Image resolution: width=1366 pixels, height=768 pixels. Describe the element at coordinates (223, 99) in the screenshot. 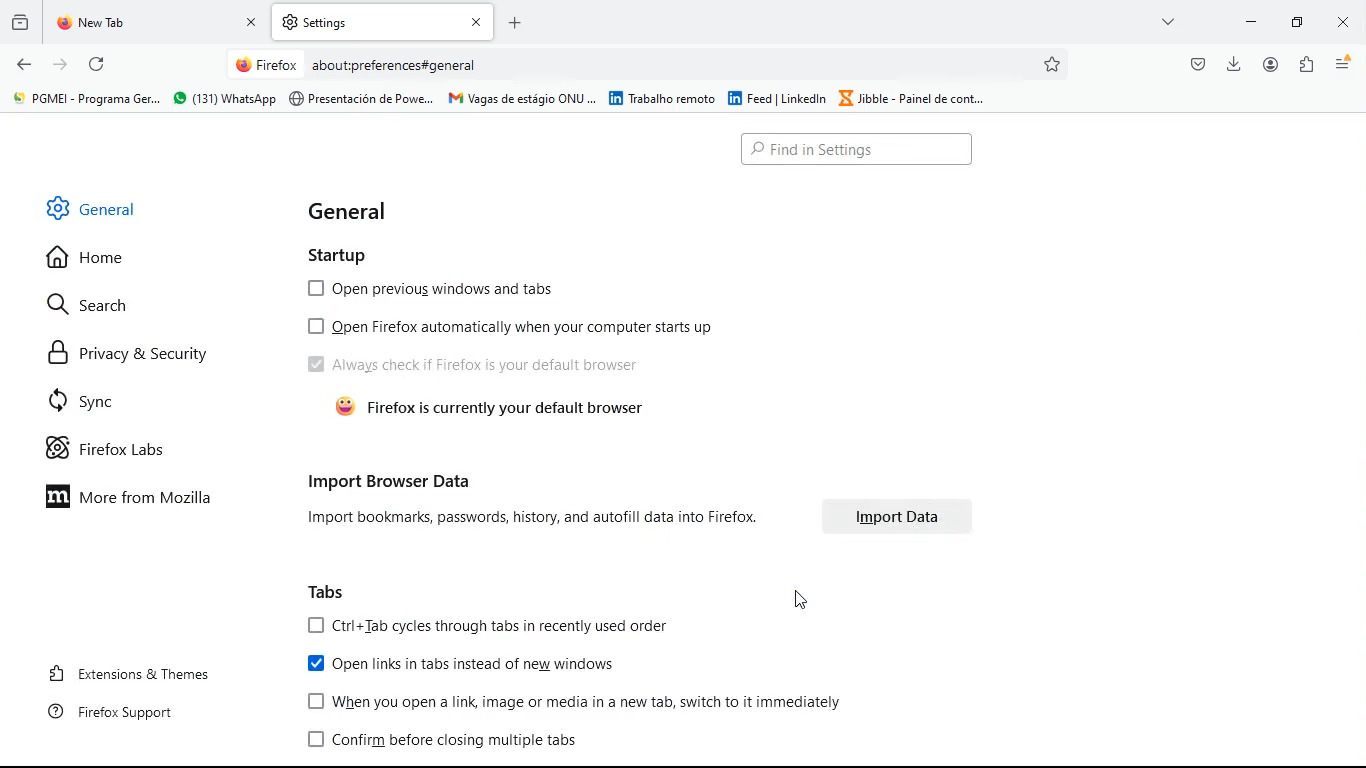

I see `® (131) Whatsapp` at that location.